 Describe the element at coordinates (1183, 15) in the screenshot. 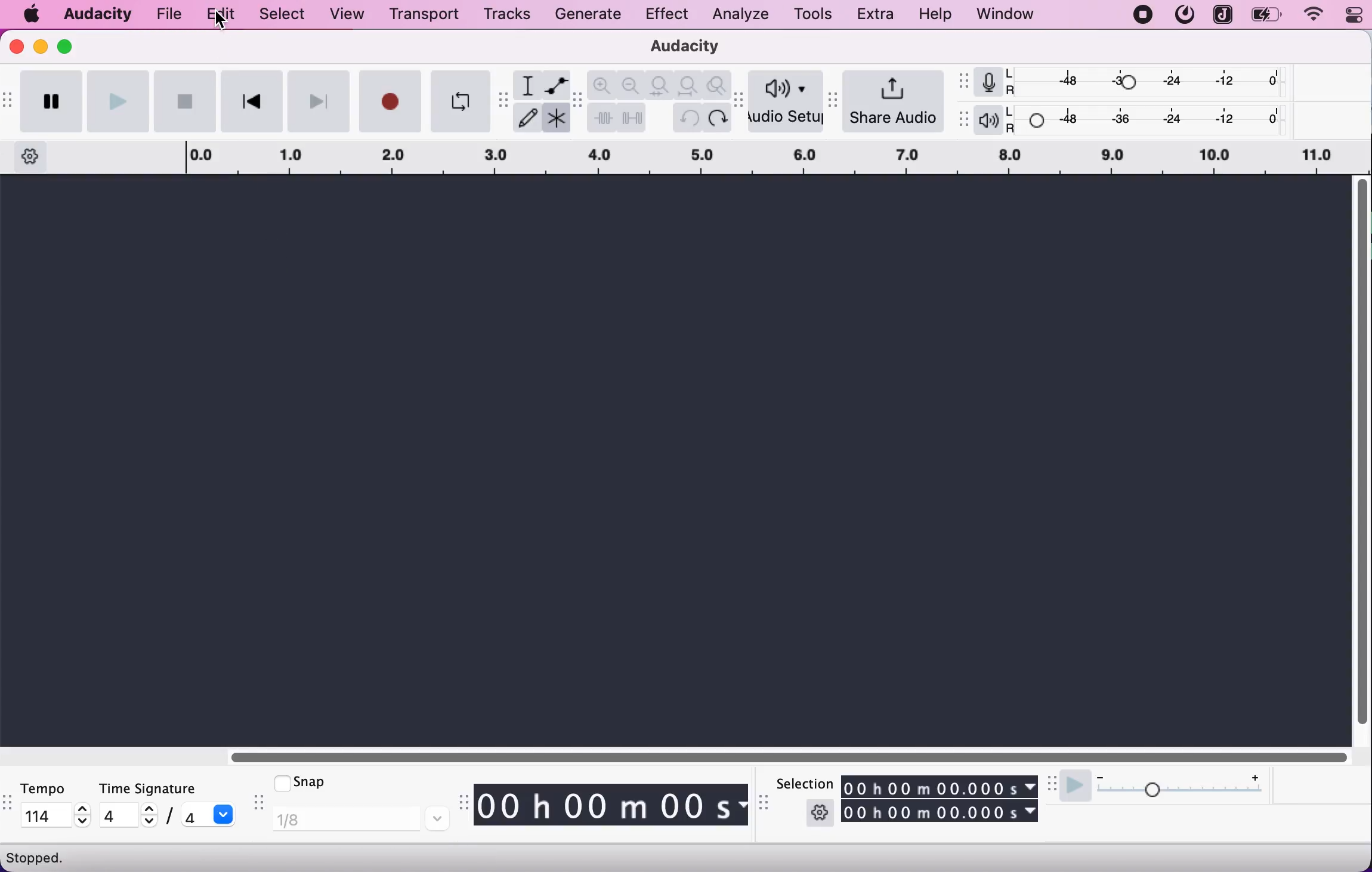

I see `mattermost logo` at that location.